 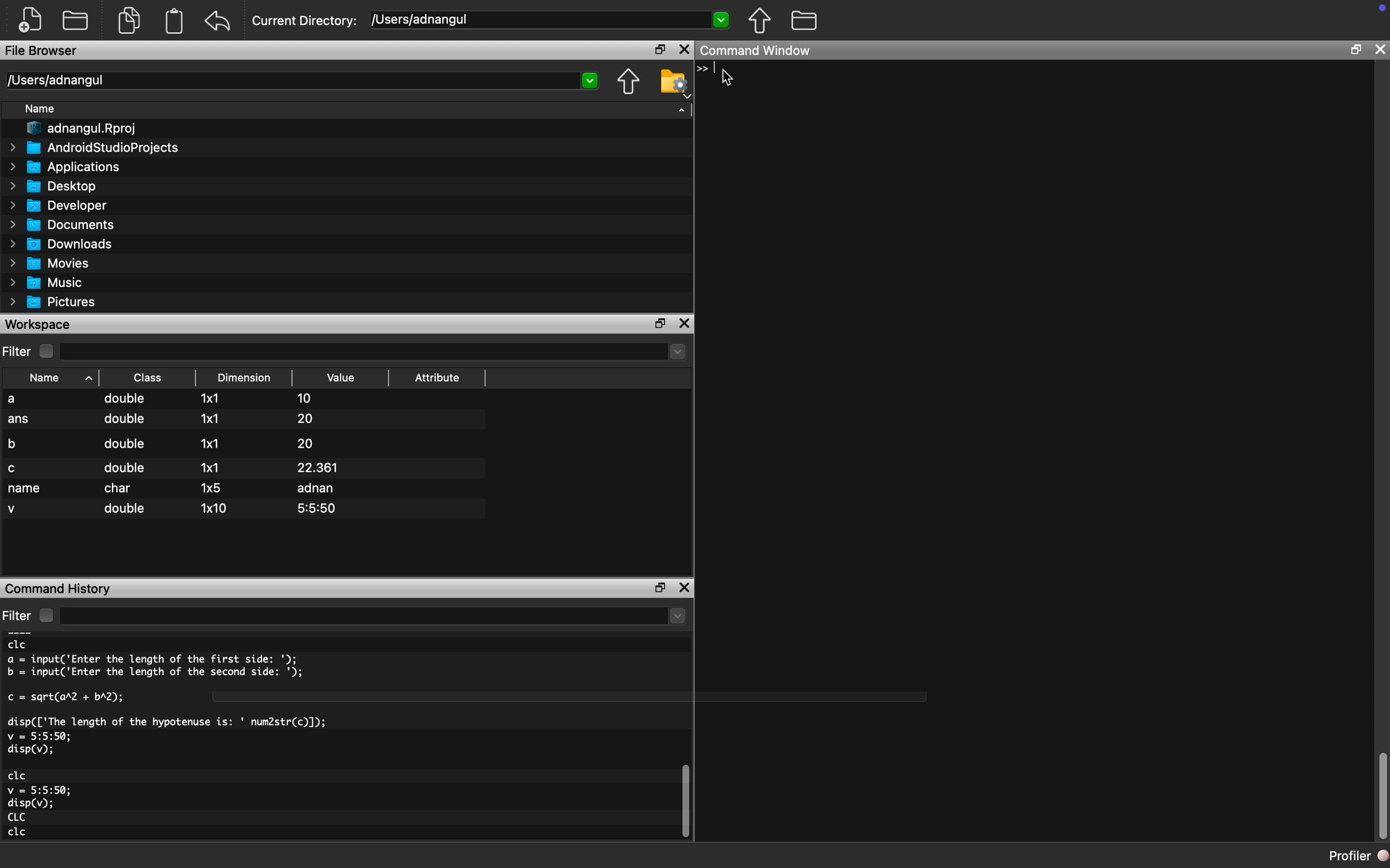 What do you see at coordinates (176, 21) in the screenshot?
I see `Paste` at bounding box center [176, 21].